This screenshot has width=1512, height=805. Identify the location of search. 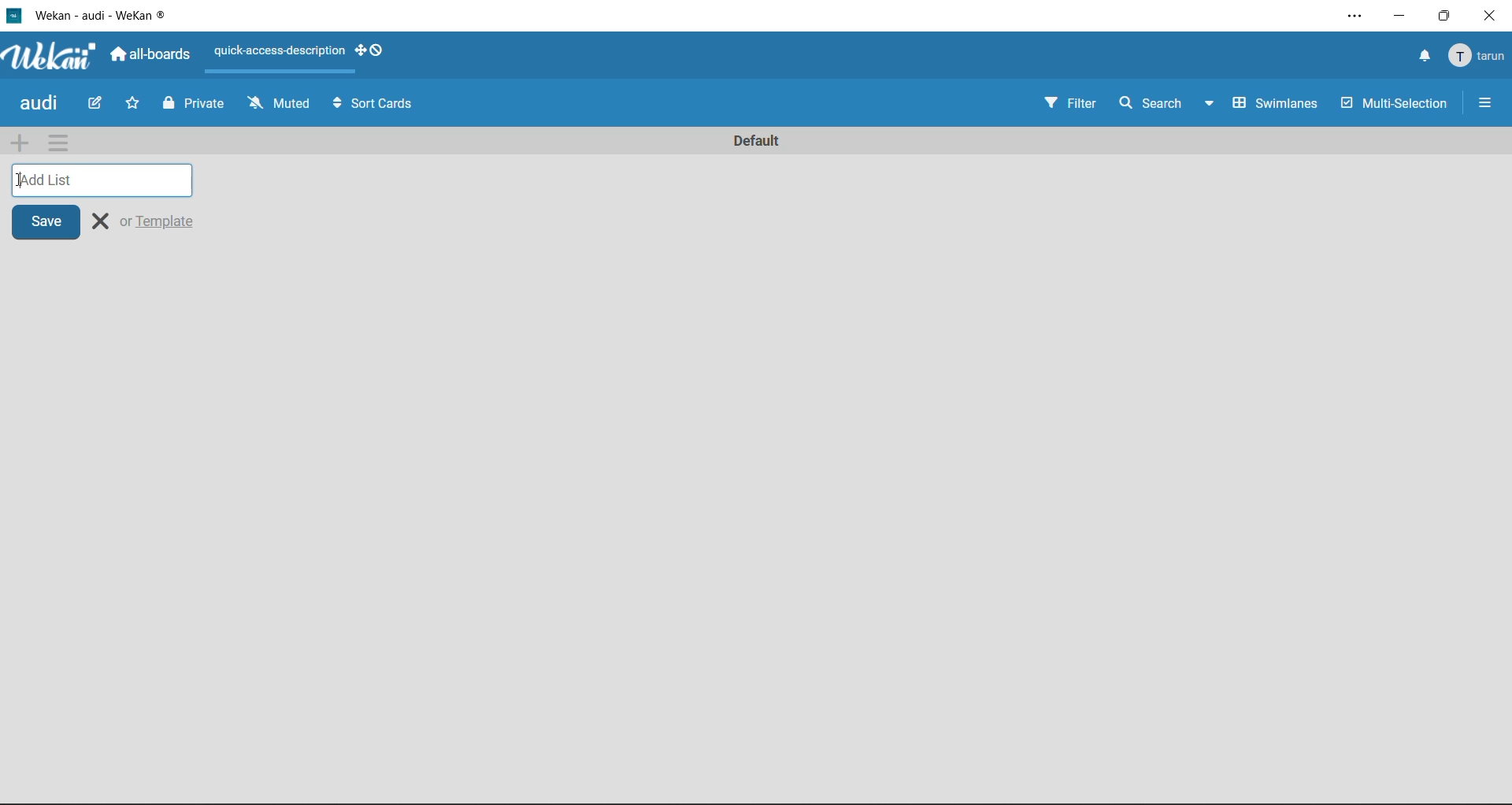
(1149, 102).